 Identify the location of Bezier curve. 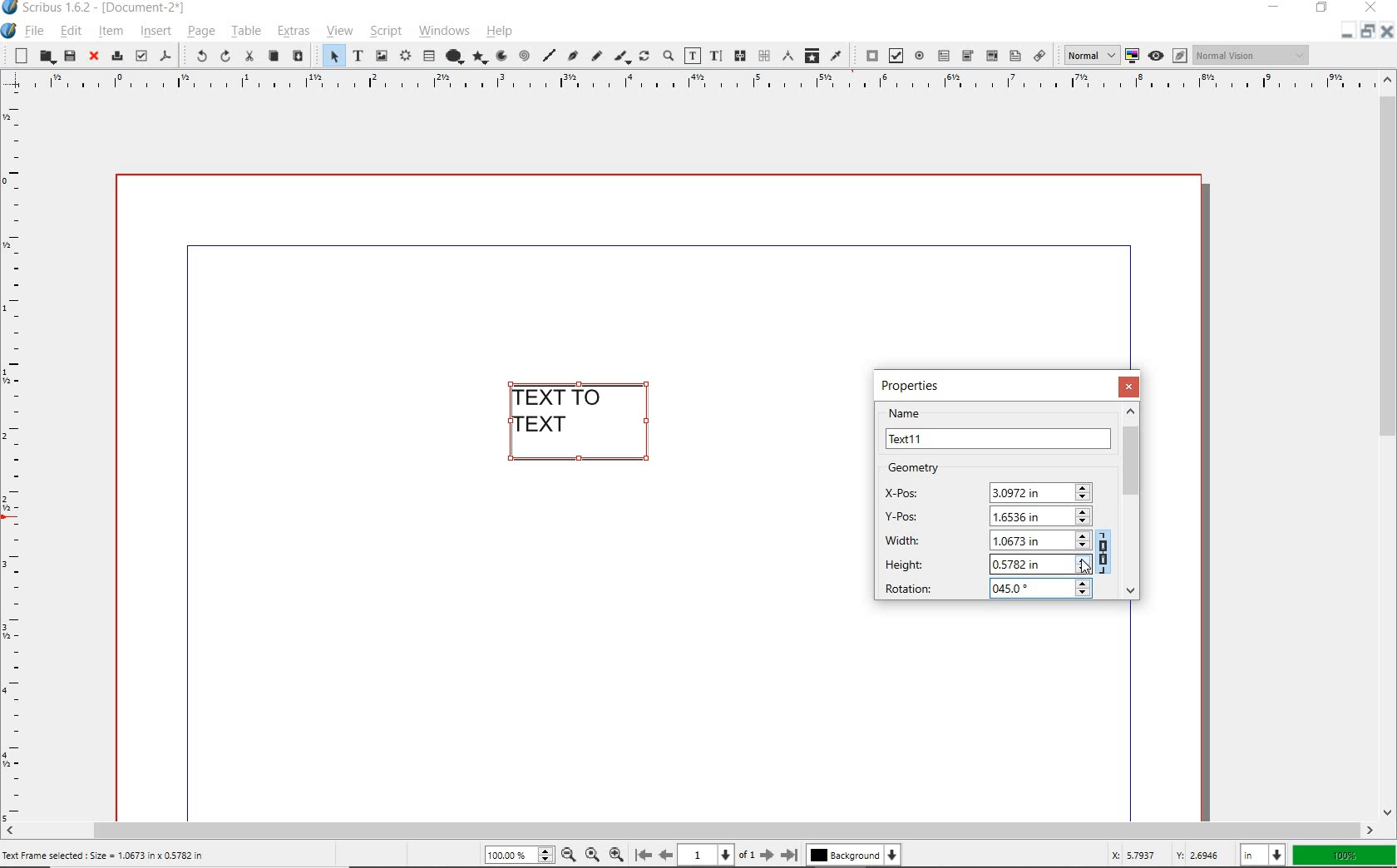
(572, 55).